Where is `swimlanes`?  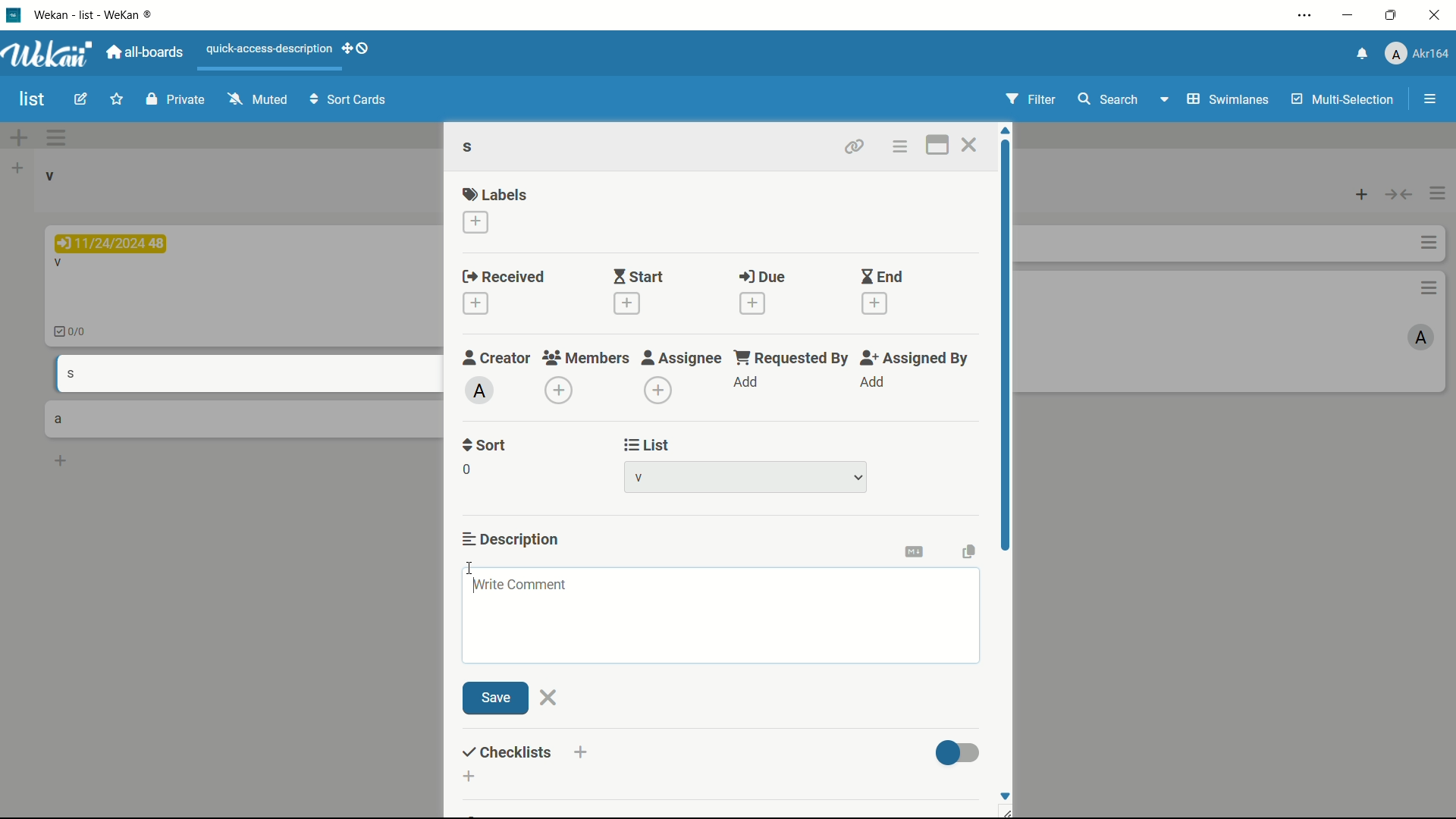 swimlanes is located at coordinates (1229, 100).